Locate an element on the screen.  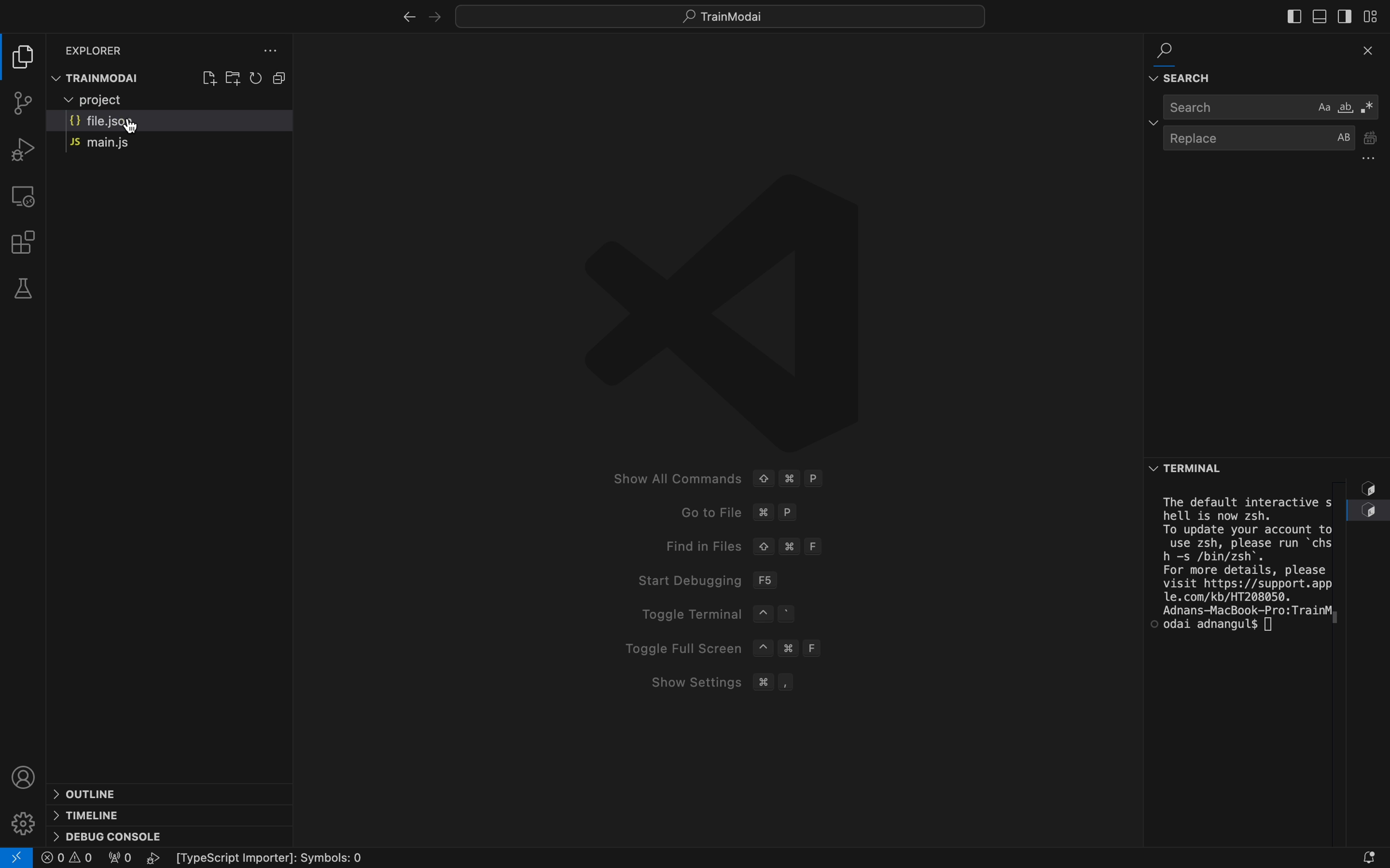
find and search is located at coordinates (1271, 75).